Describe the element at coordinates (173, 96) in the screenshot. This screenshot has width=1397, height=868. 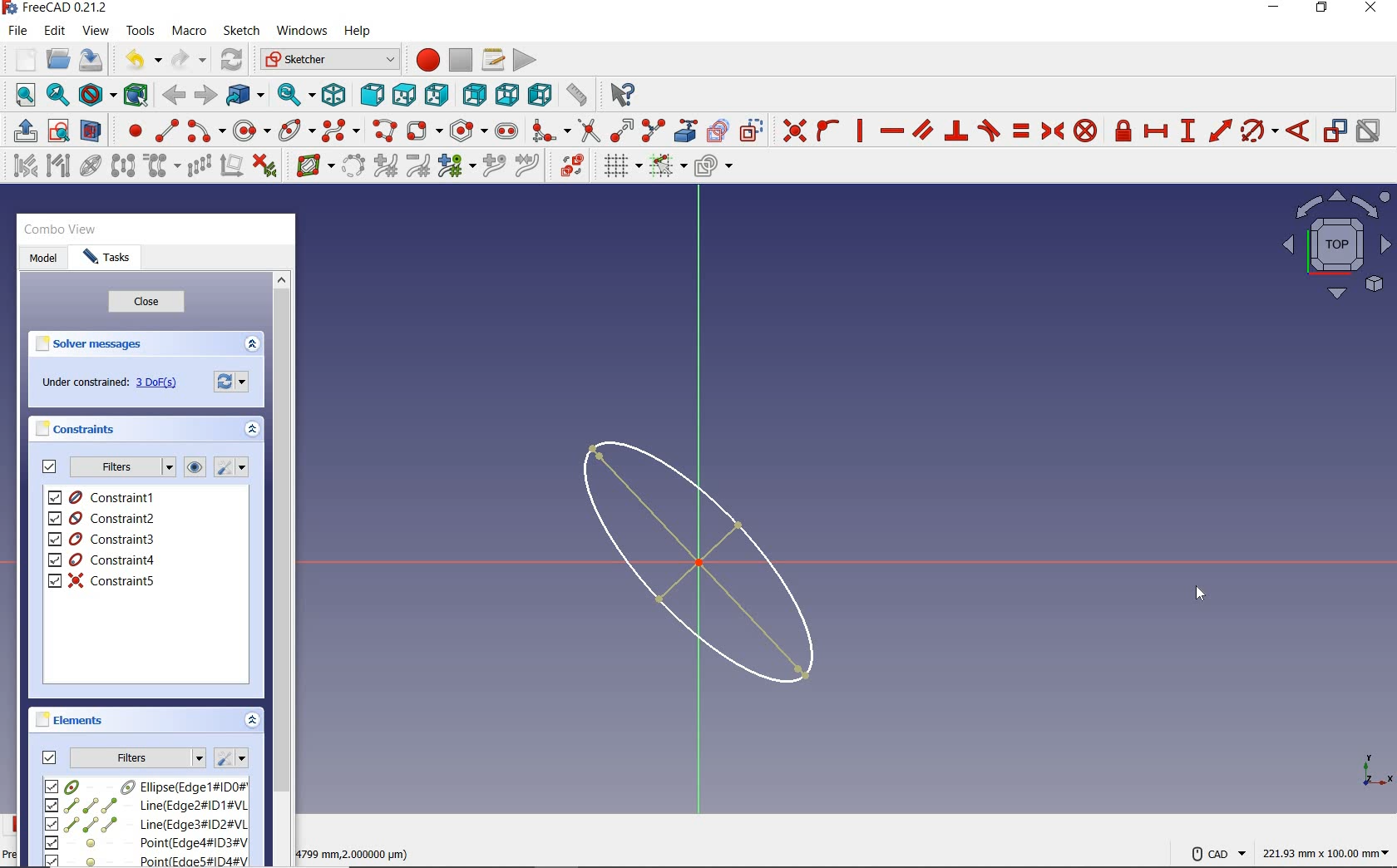
I see `back` at that location.